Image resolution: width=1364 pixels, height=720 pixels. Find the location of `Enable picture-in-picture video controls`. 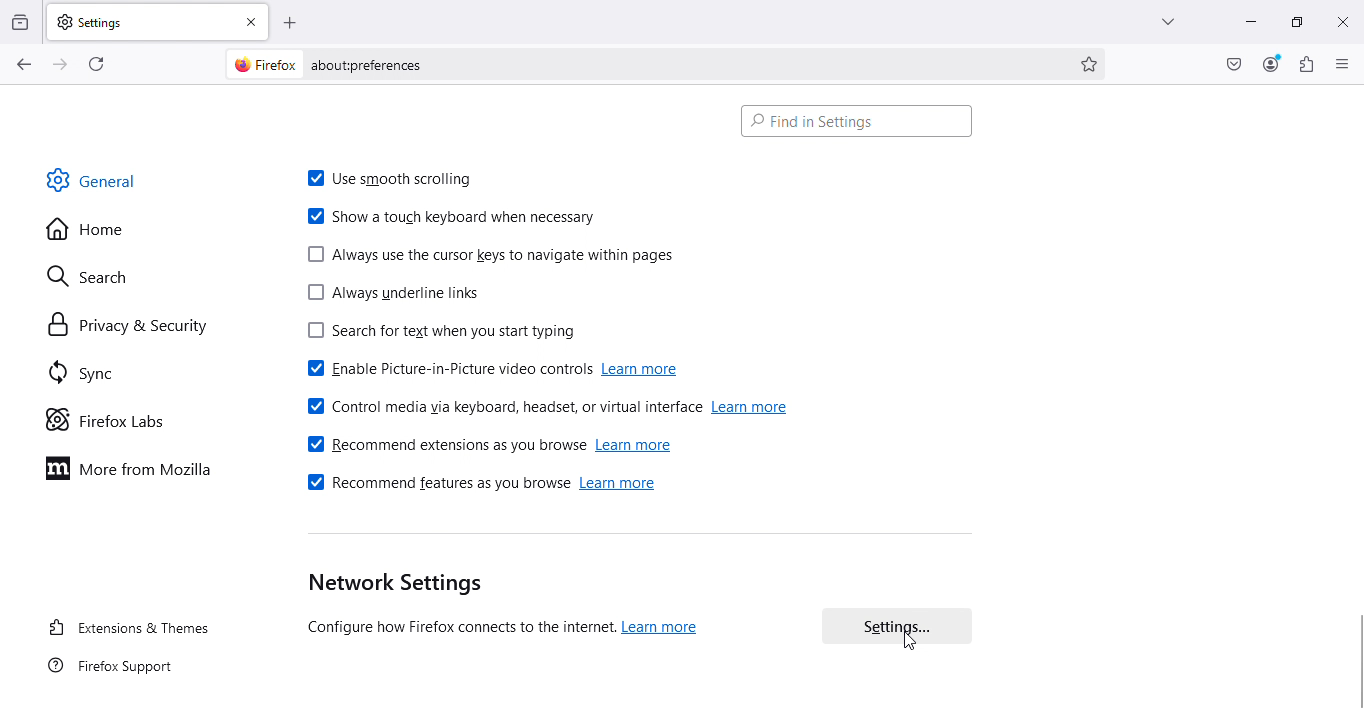

Enable picture-in-picture video controls is located at coordinates (444, 371).